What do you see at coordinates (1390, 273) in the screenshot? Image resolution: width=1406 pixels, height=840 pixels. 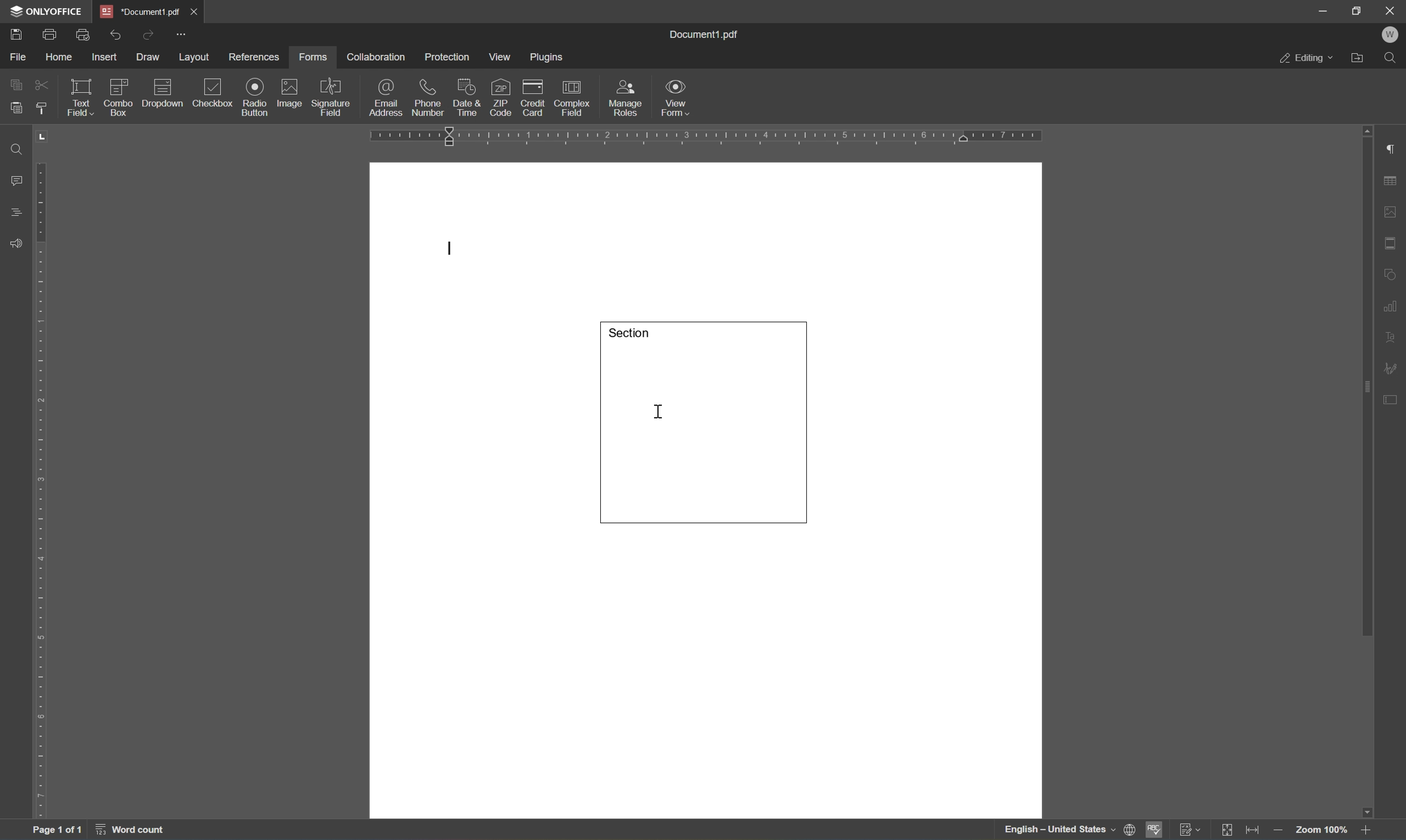 I see `shape settings` at bounding box center [1390, 273].